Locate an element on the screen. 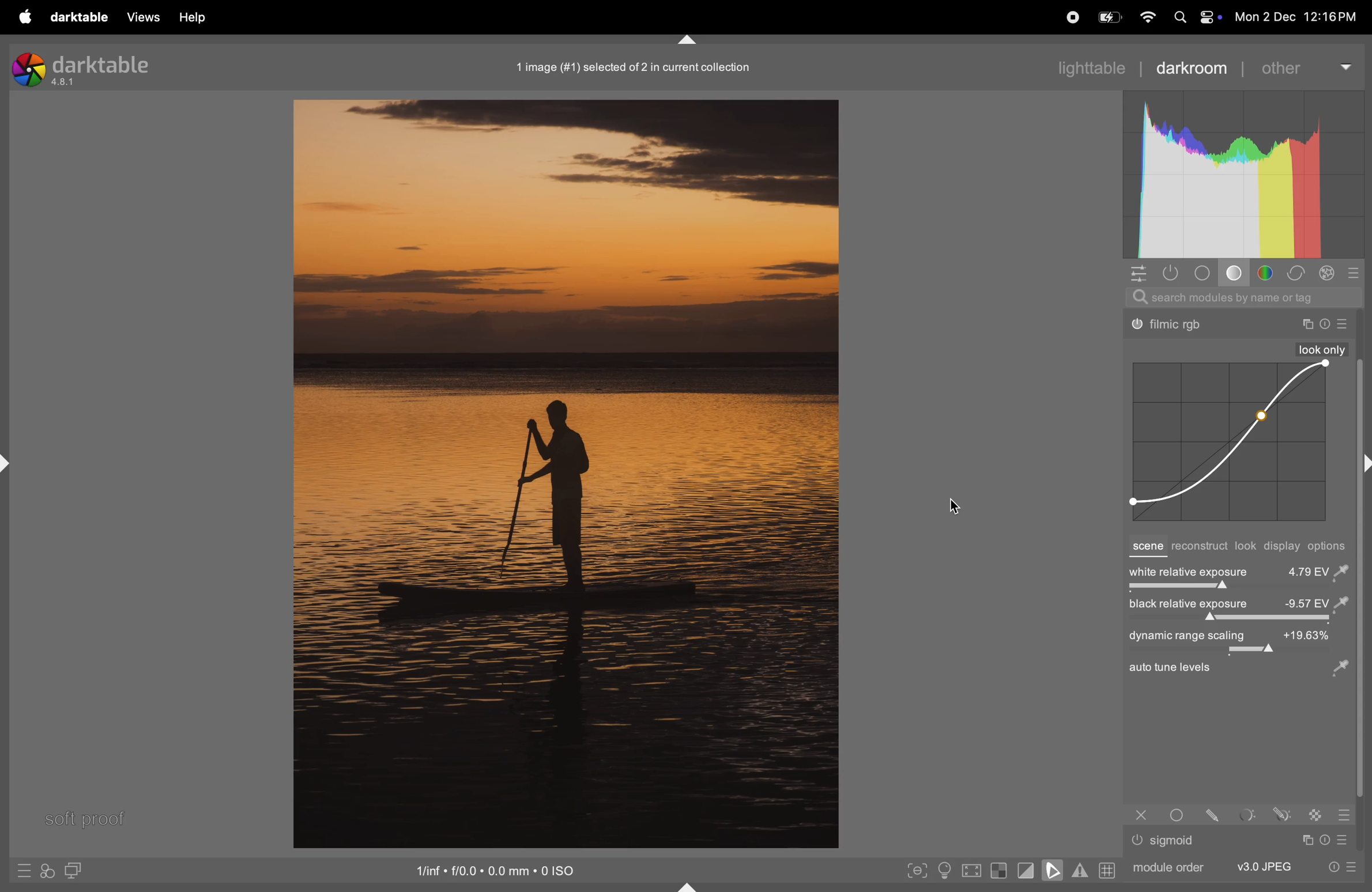  black exposure is located at coordinates (1237, 604).